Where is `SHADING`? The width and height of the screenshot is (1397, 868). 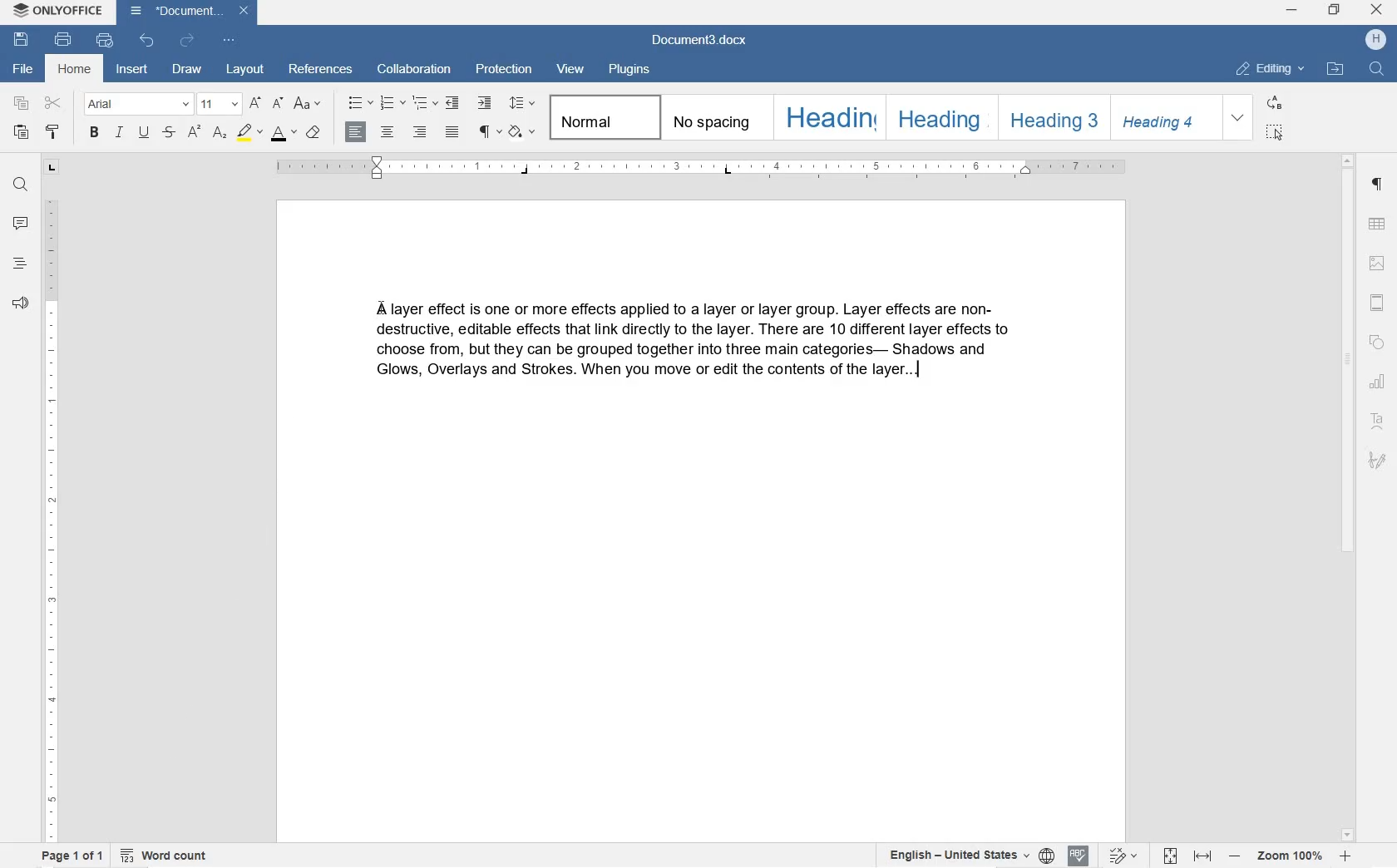
SHADING is located at coordinates (525, 133).